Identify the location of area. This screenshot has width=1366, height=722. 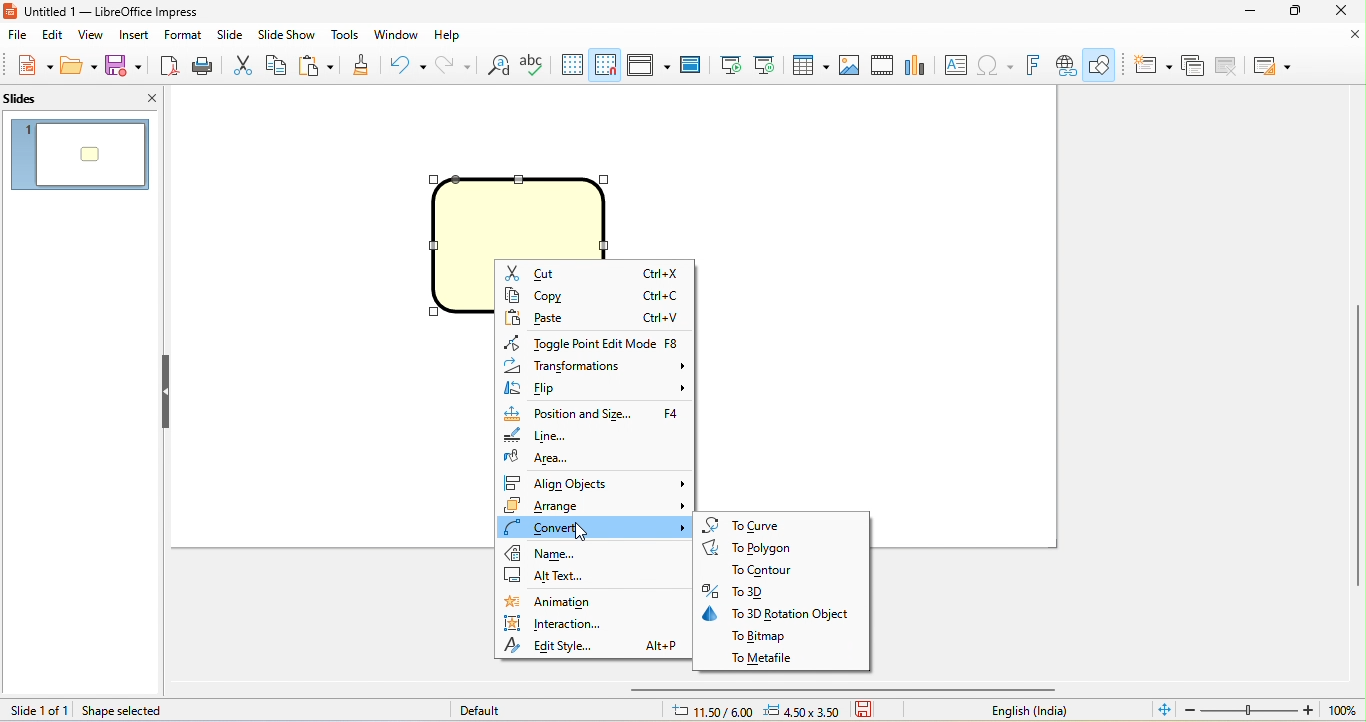
(537, 461).